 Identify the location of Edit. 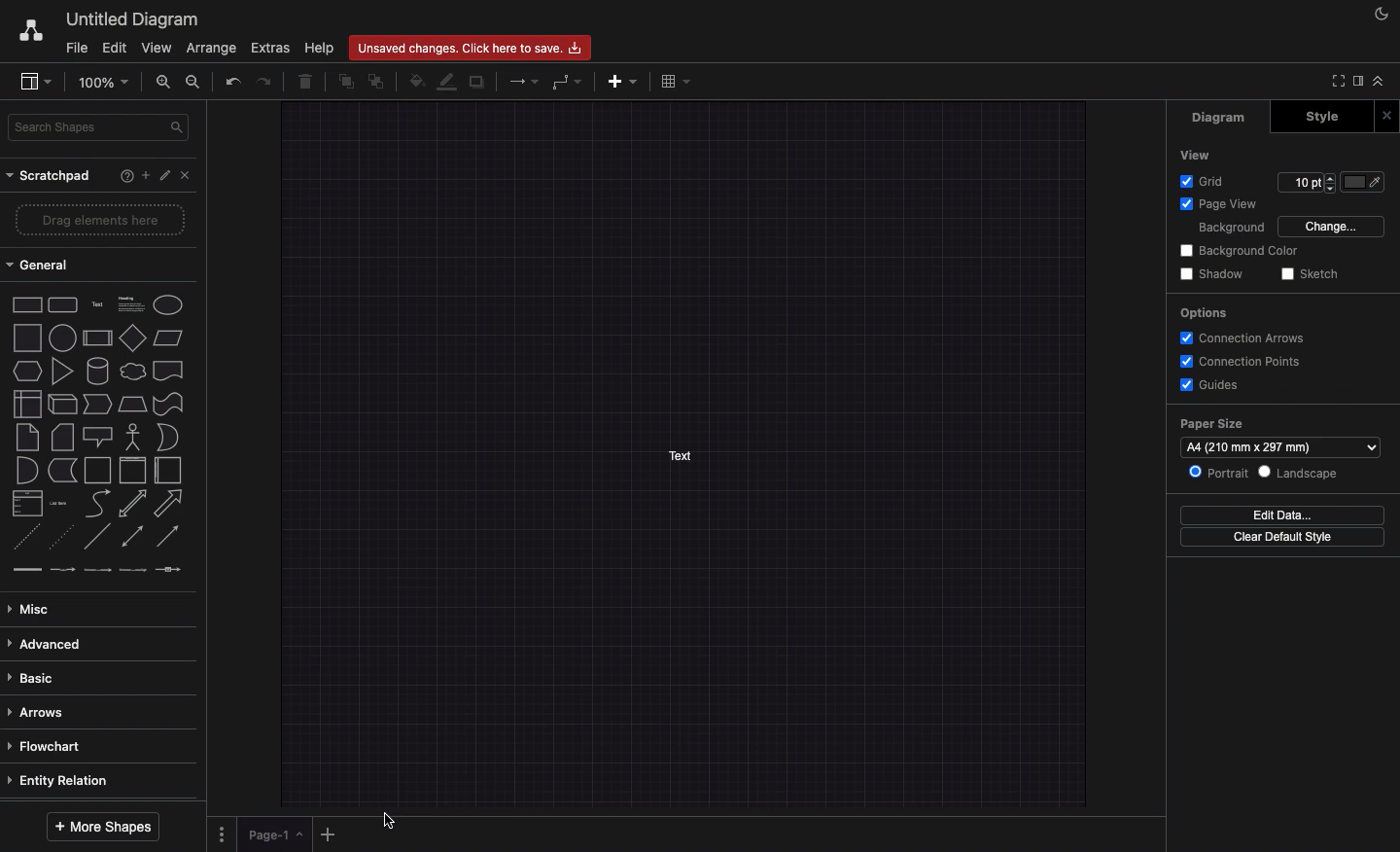
(166, 174).